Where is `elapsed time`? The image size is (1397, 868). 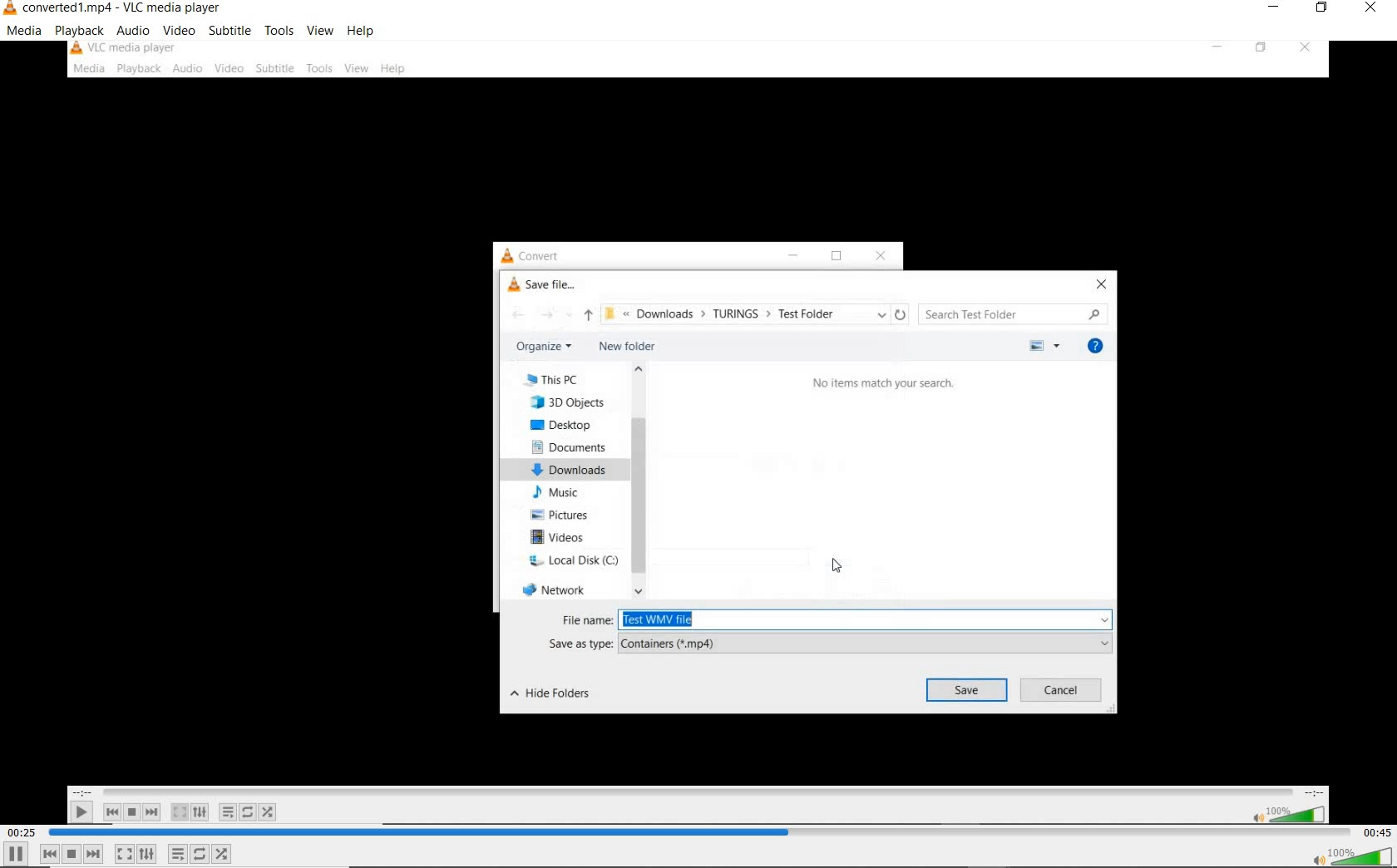
elapsed time is located at coordinates (22, 832).